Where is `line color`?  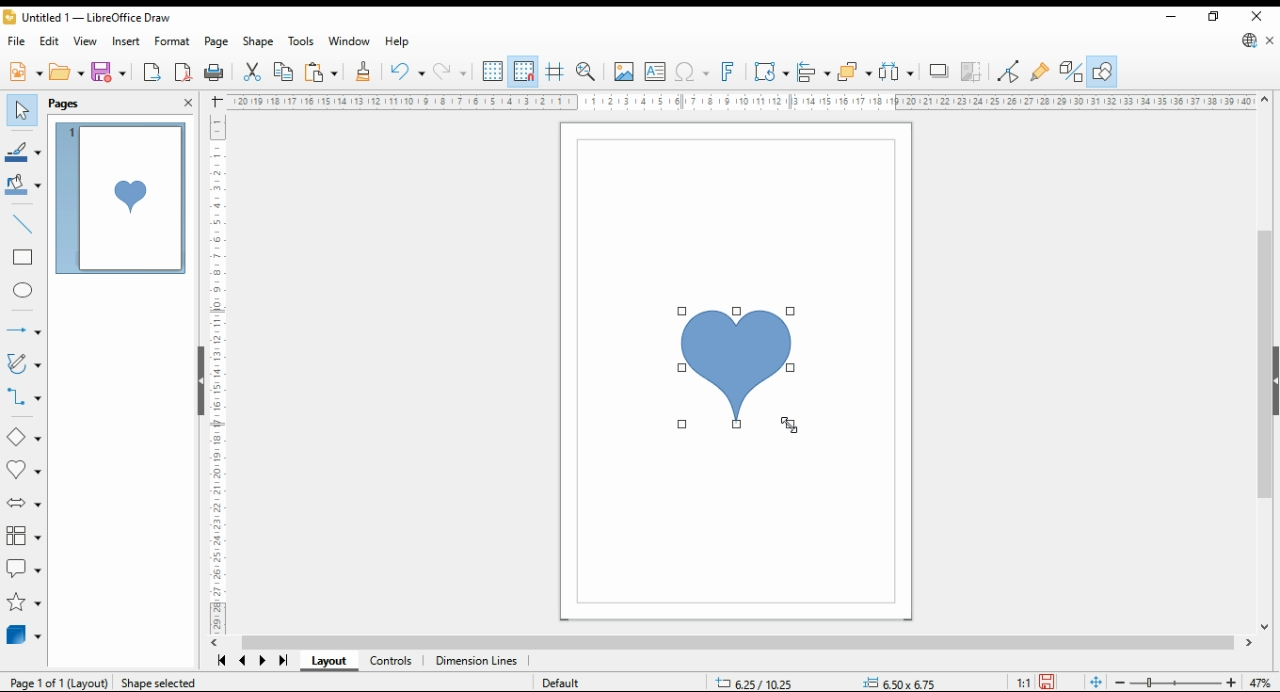
line color is located at coordinates (25, 150).